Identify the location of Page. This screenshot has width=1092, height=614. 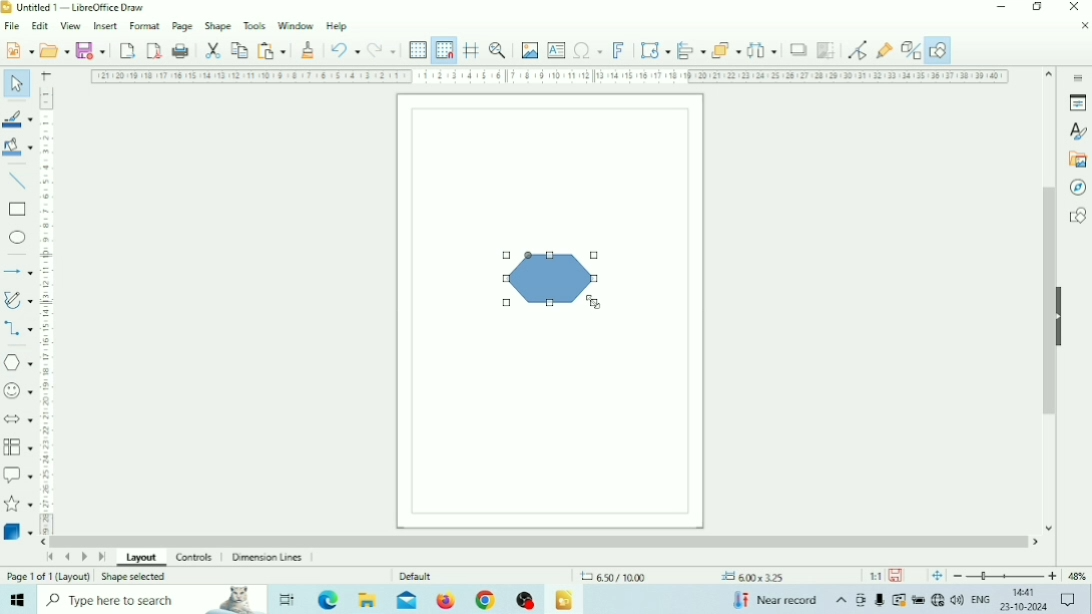
(183, 25).